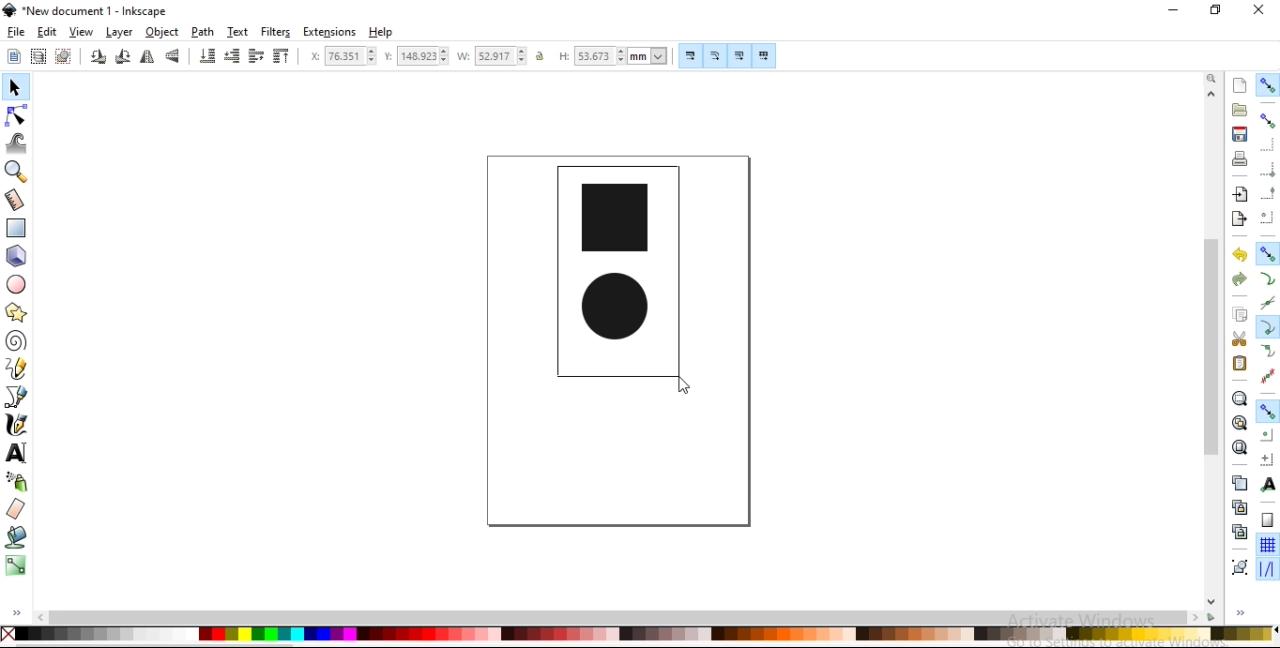  I want to click on snap guide, so click(1266, 569).